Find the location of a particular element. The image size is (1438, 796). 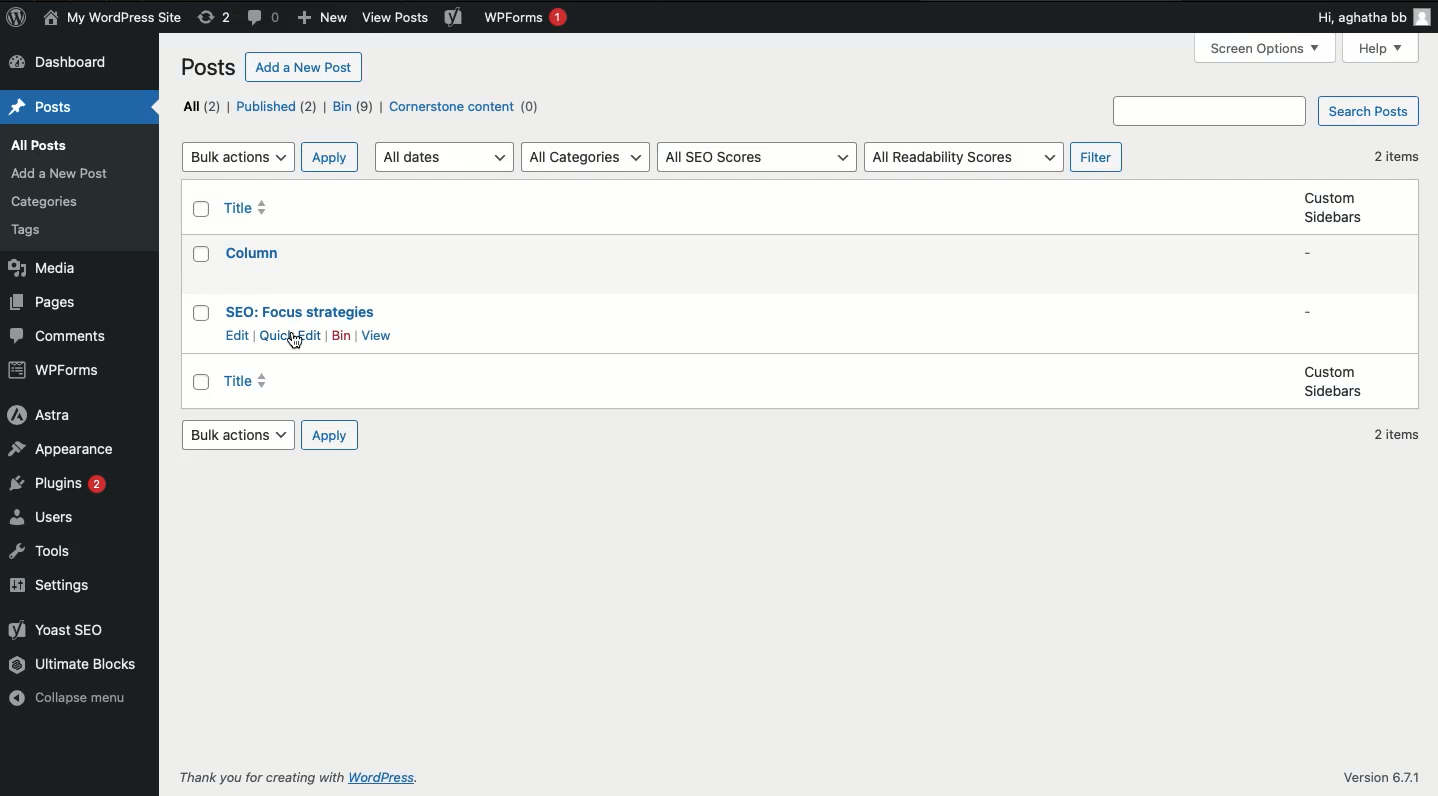

Bin is located at coordinates (353, 106).